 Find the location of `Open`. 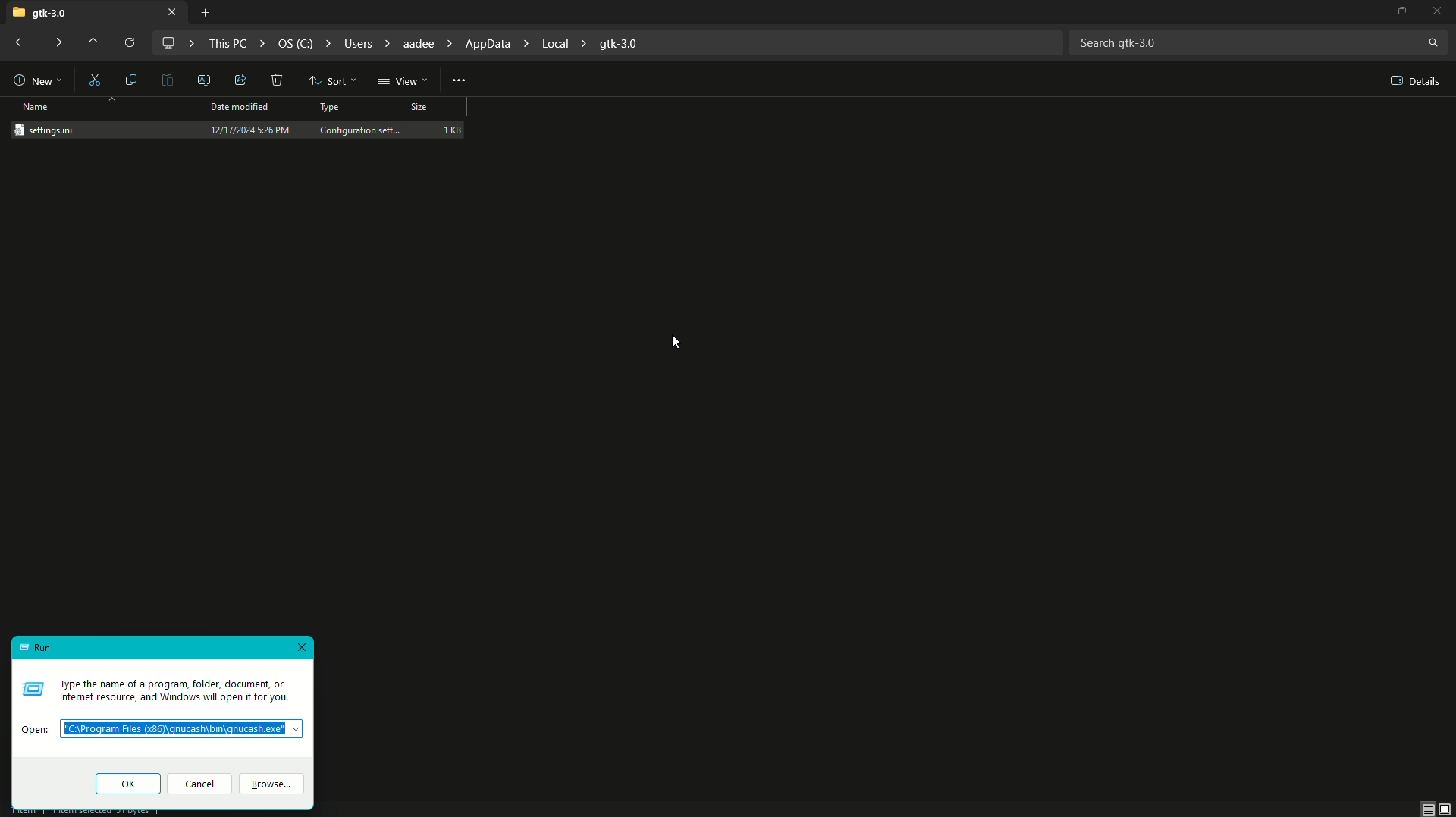

Open is located at coordinates (36, 731).